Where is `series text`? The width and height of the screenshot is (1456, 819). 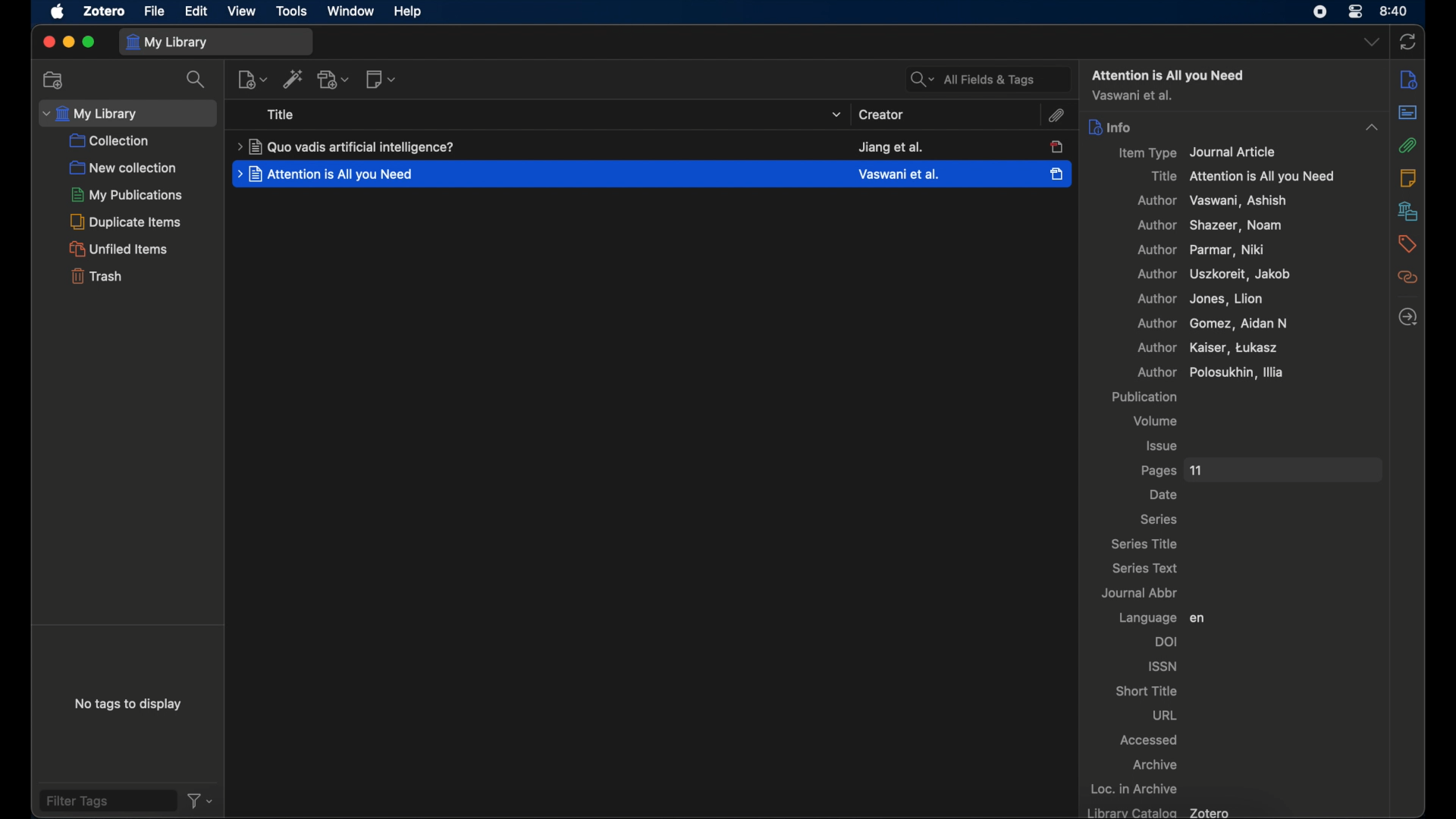 series text is located at coordinates (1144, 567).